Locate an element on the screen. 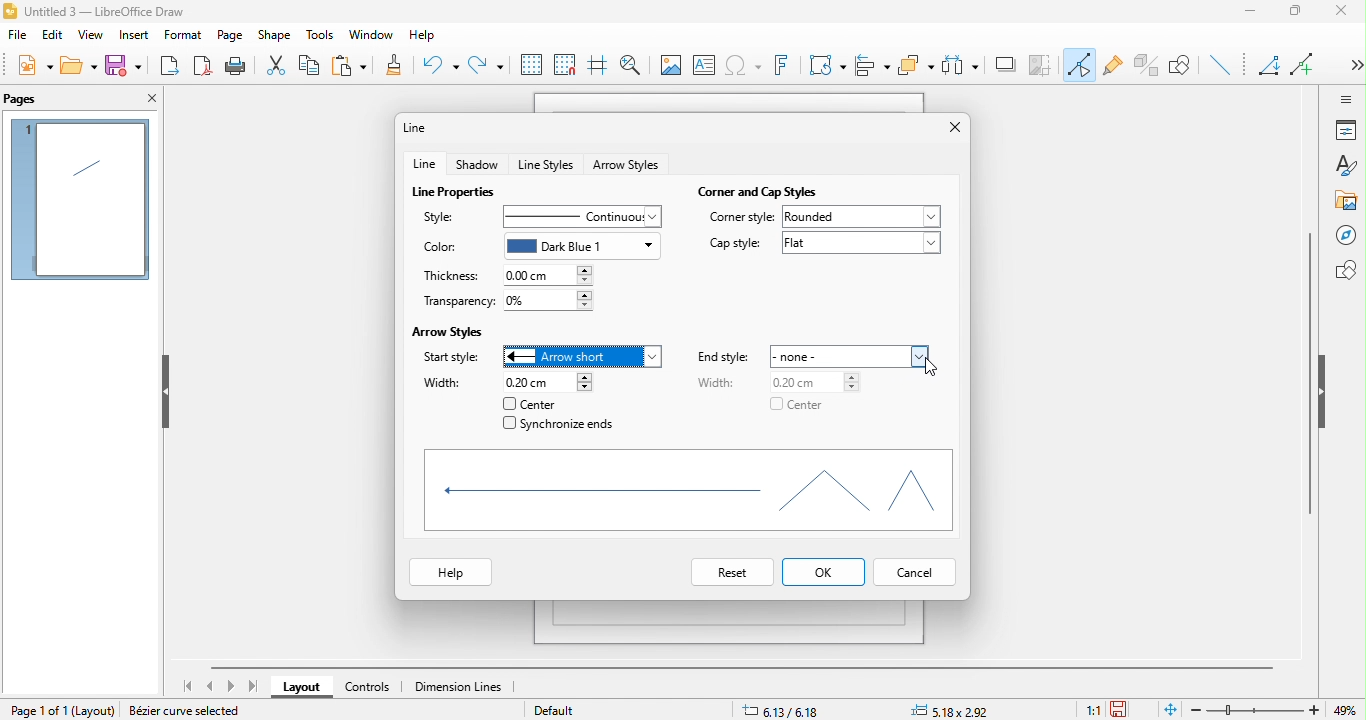 The width and height of the screenshot is (1366, 720). format is located at coordinates (181, 35).